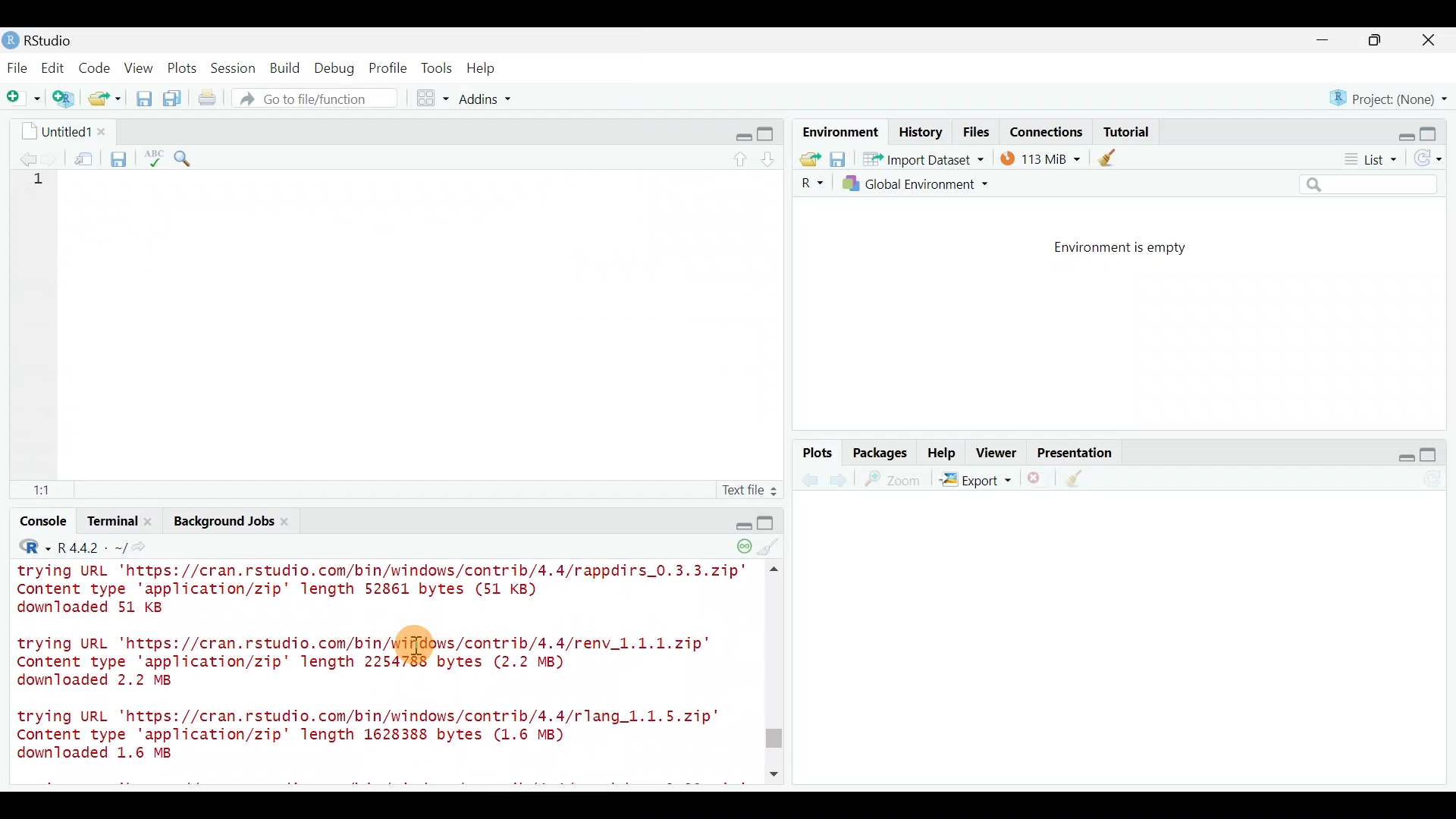 This screenshot has width=1456, height=819. What do you see at coordinates (1040, 158) in the screenshot?
I see `114 MIB` at bounding box center [1040, 158].